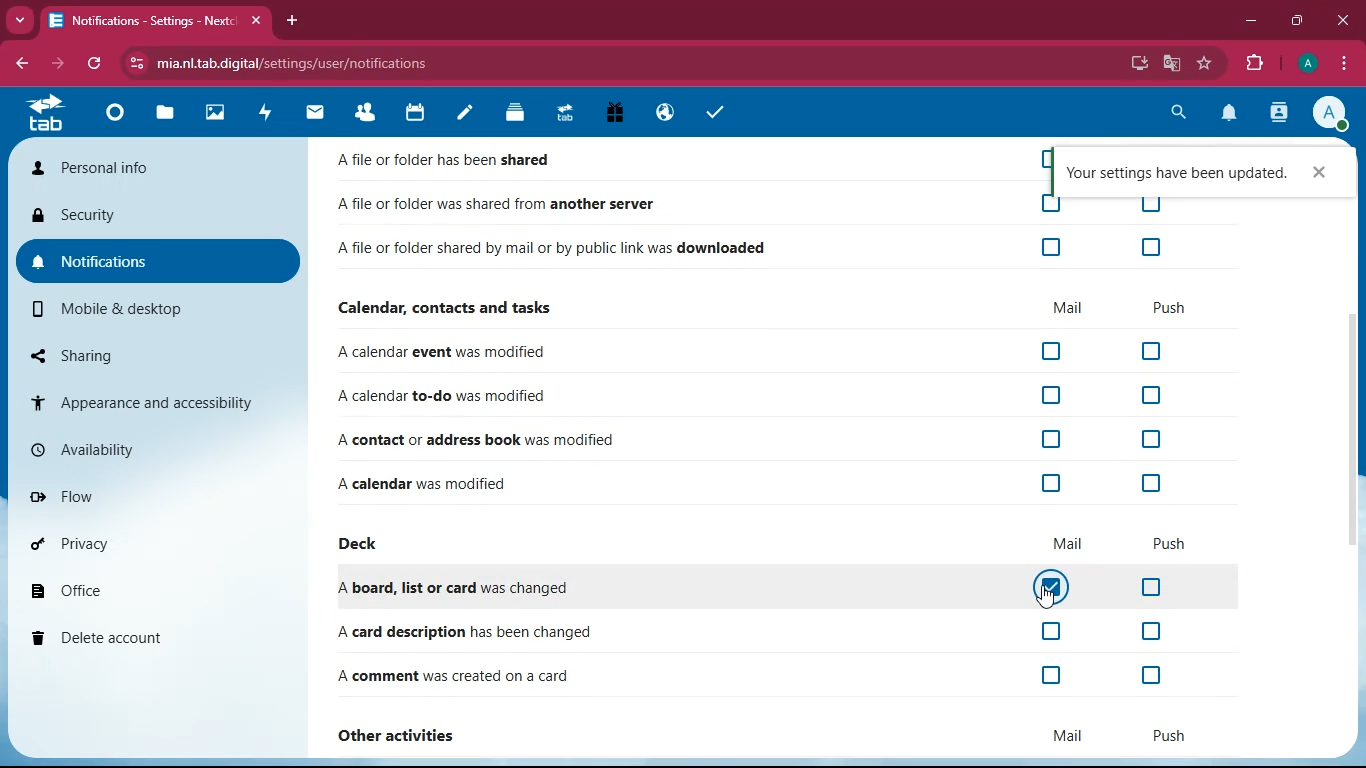  Describe the element at coordinates (304, 63) in the screenshot. I see `mia.nl.tab.digital/settings/user/notifications` at that location.